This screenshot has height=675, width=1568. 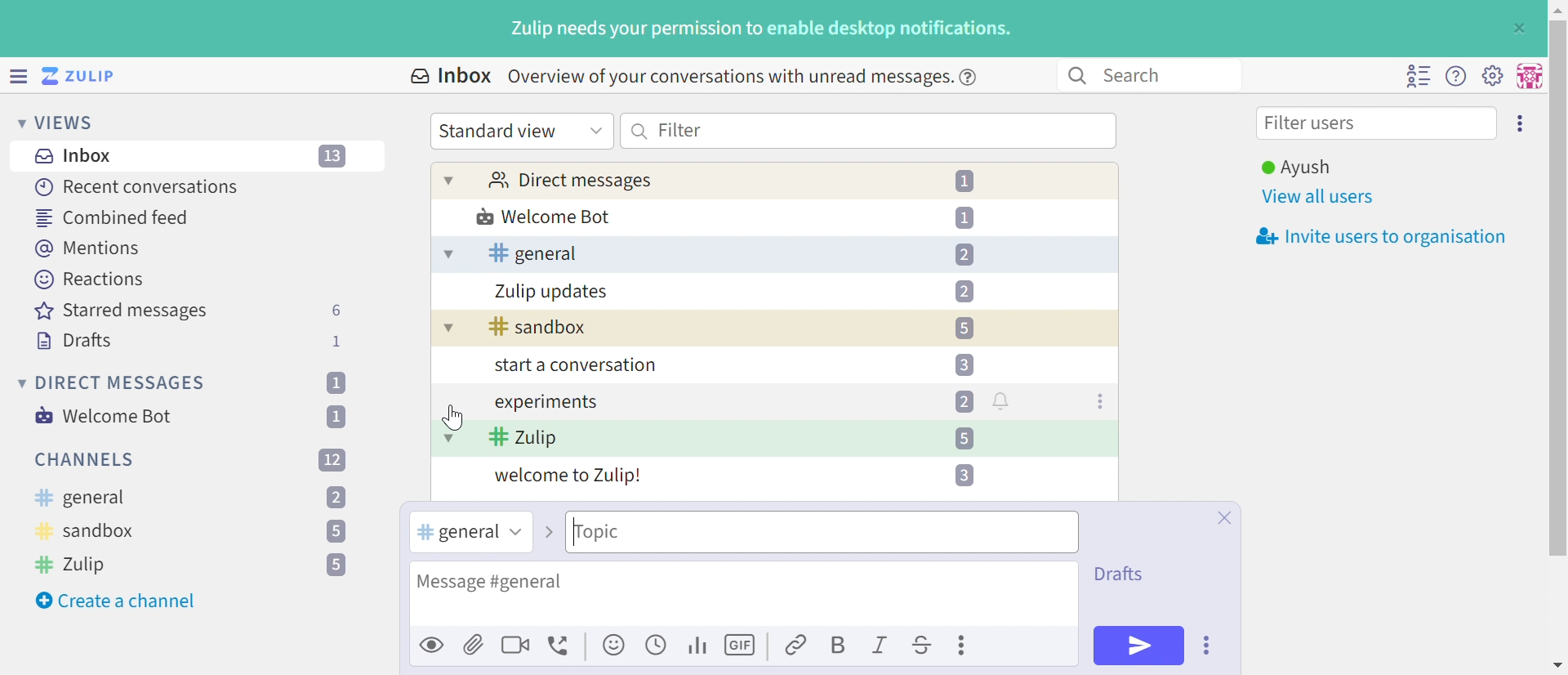 What do you see at coordinates (561, 646) in the screenshot?
I see `Add voice call` at bounding box center [561, 646].